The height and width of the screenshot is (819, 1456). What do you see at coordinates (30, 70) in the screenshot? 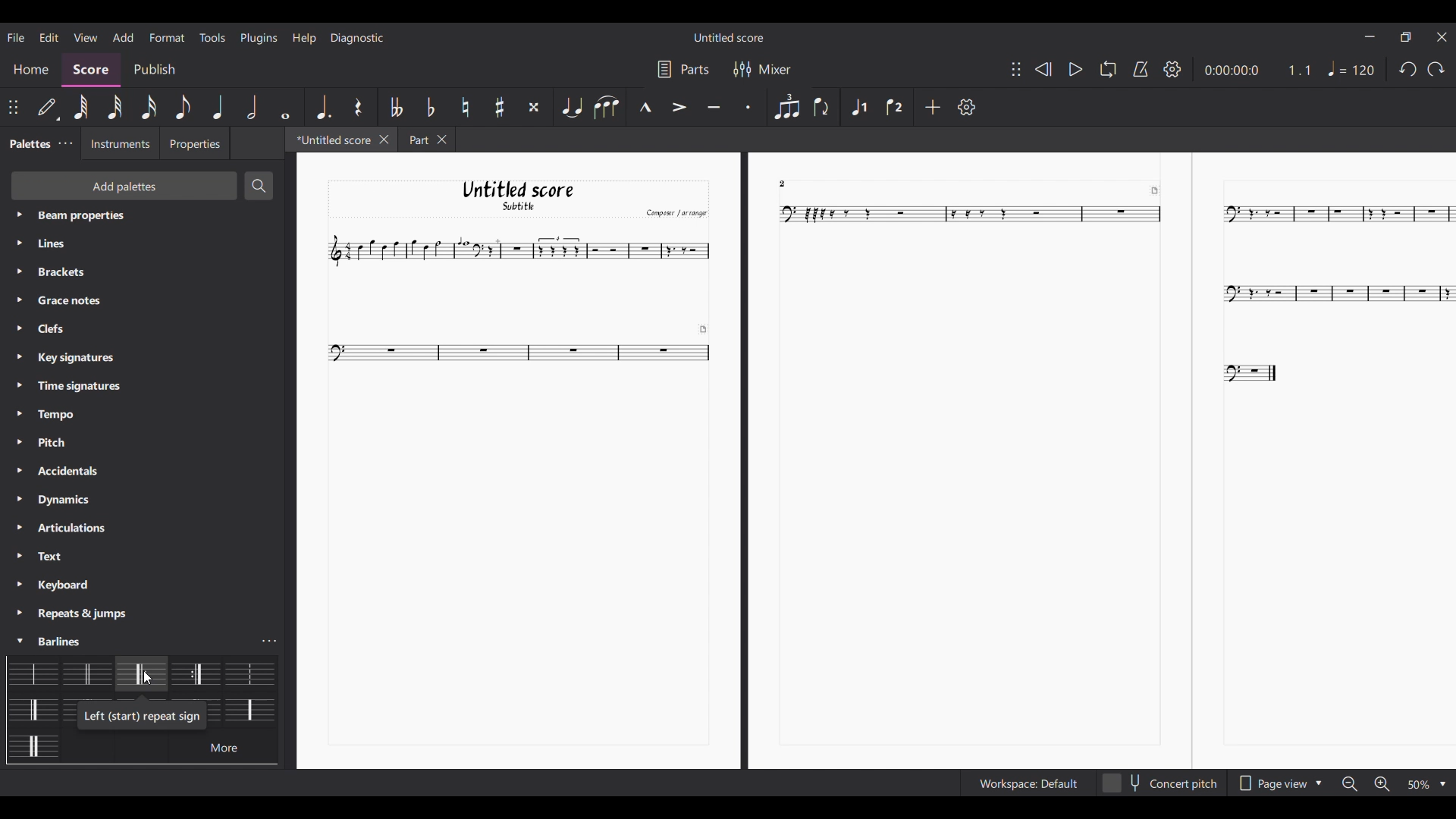
I see `Home section` at bounding box center [30, 70].